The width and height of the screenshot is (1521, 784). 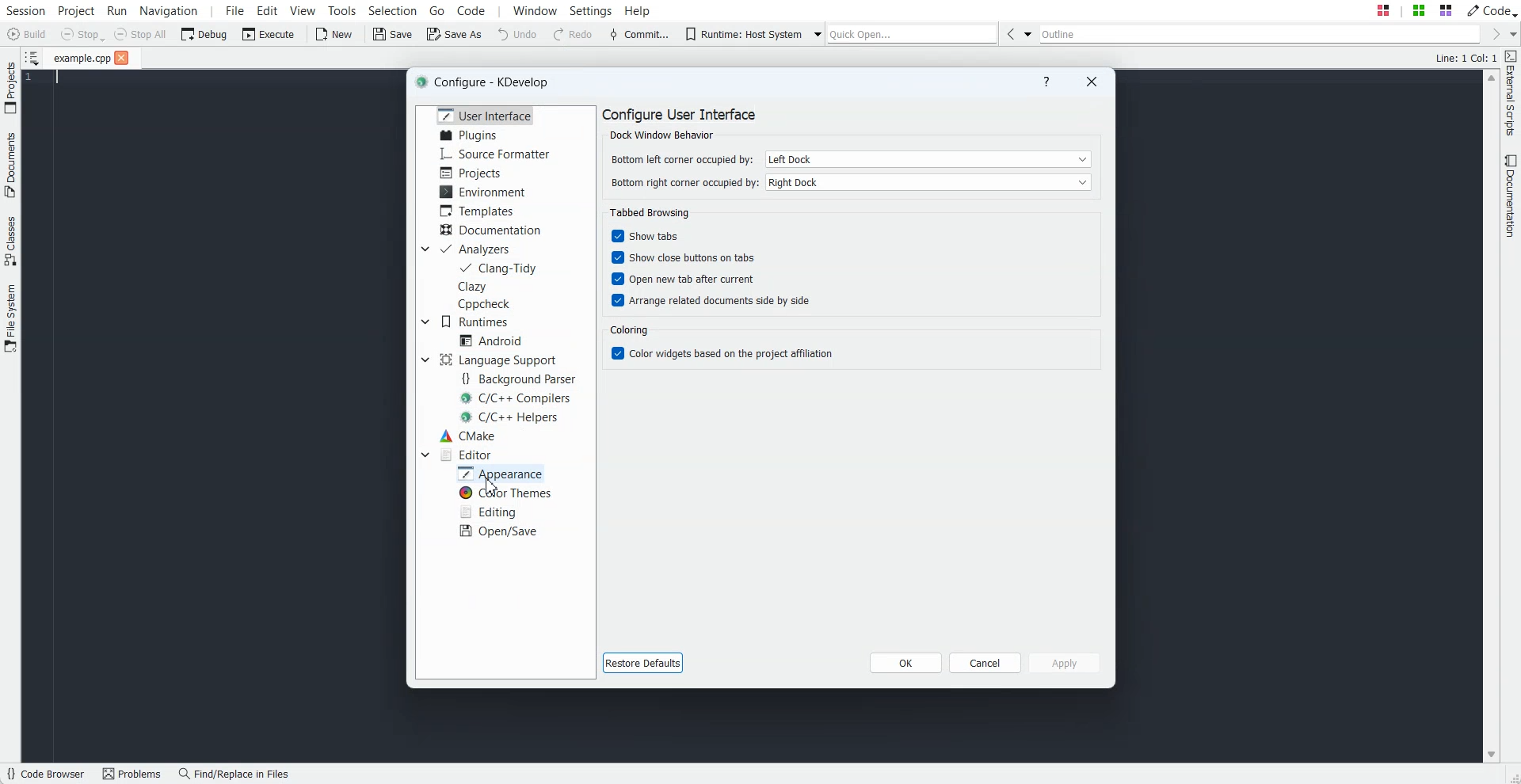 I want to click on Session, so click(x=25, y=10).